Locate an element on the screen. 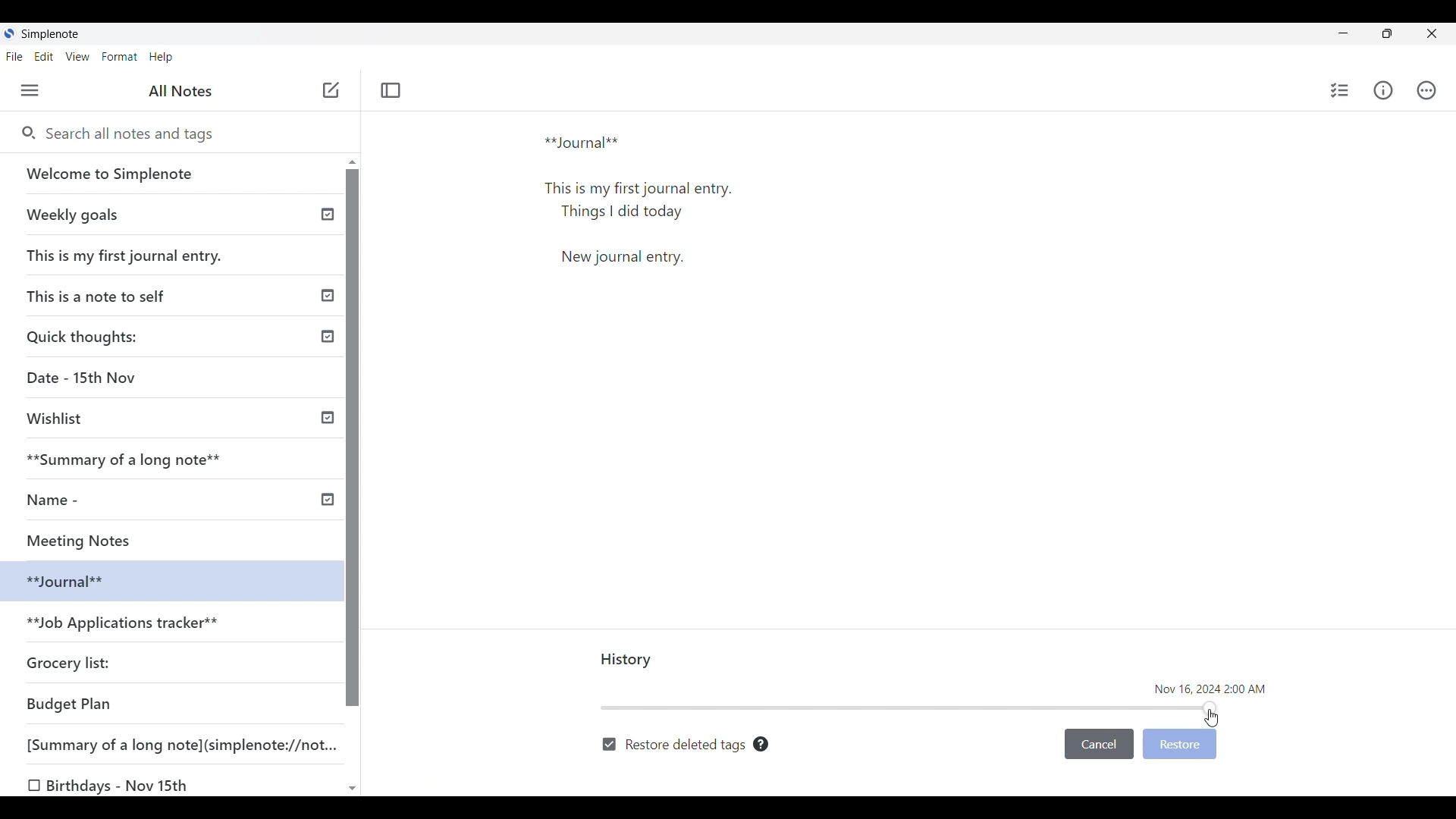  Quick slide to top is located at coordinates (353, 162).